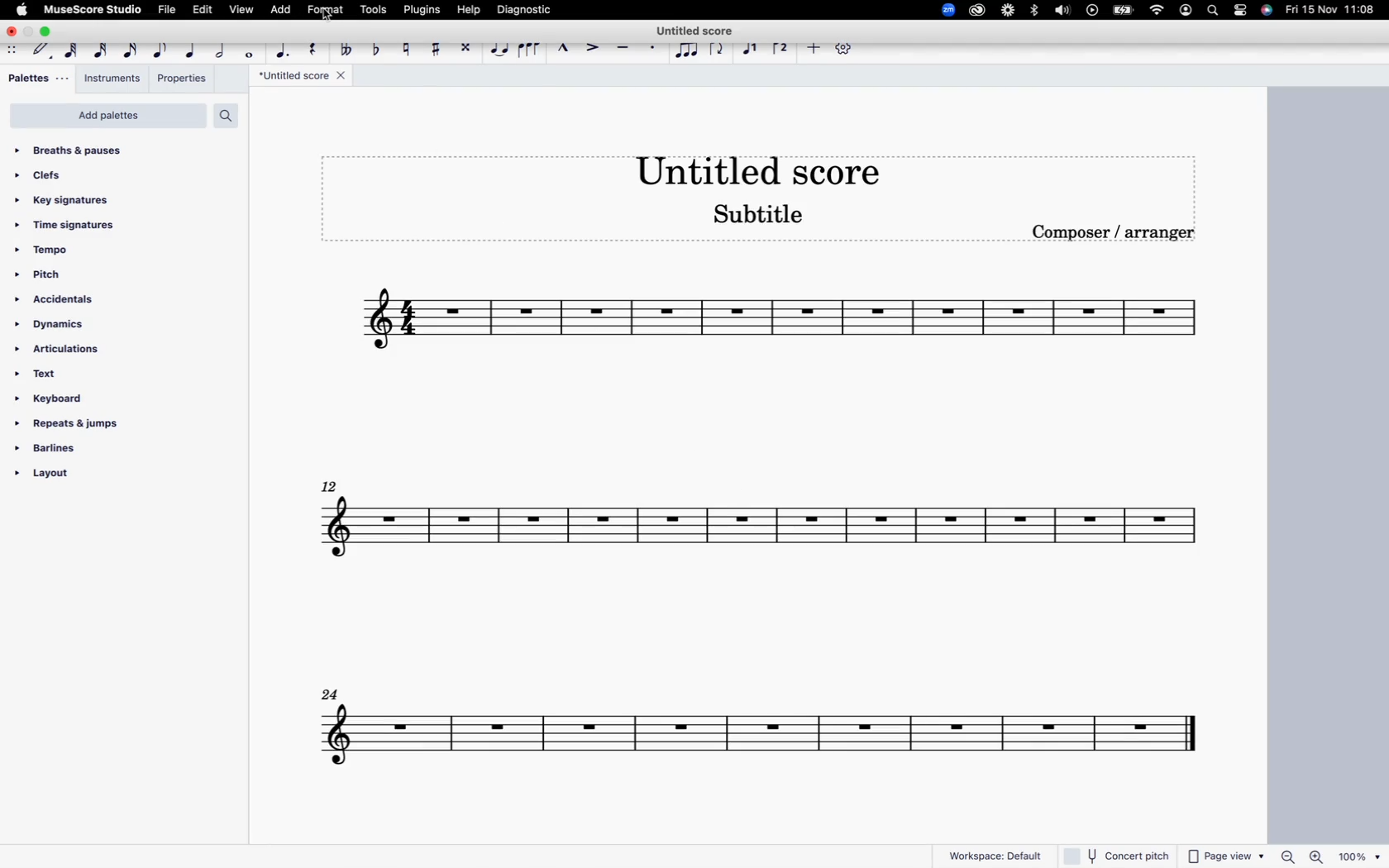 This screenshot has height=868, width=1389. What do you see at coordinates (1110, 237) in the screenshot?
I see `composer / arranger` at bounding box center [1110, 237].